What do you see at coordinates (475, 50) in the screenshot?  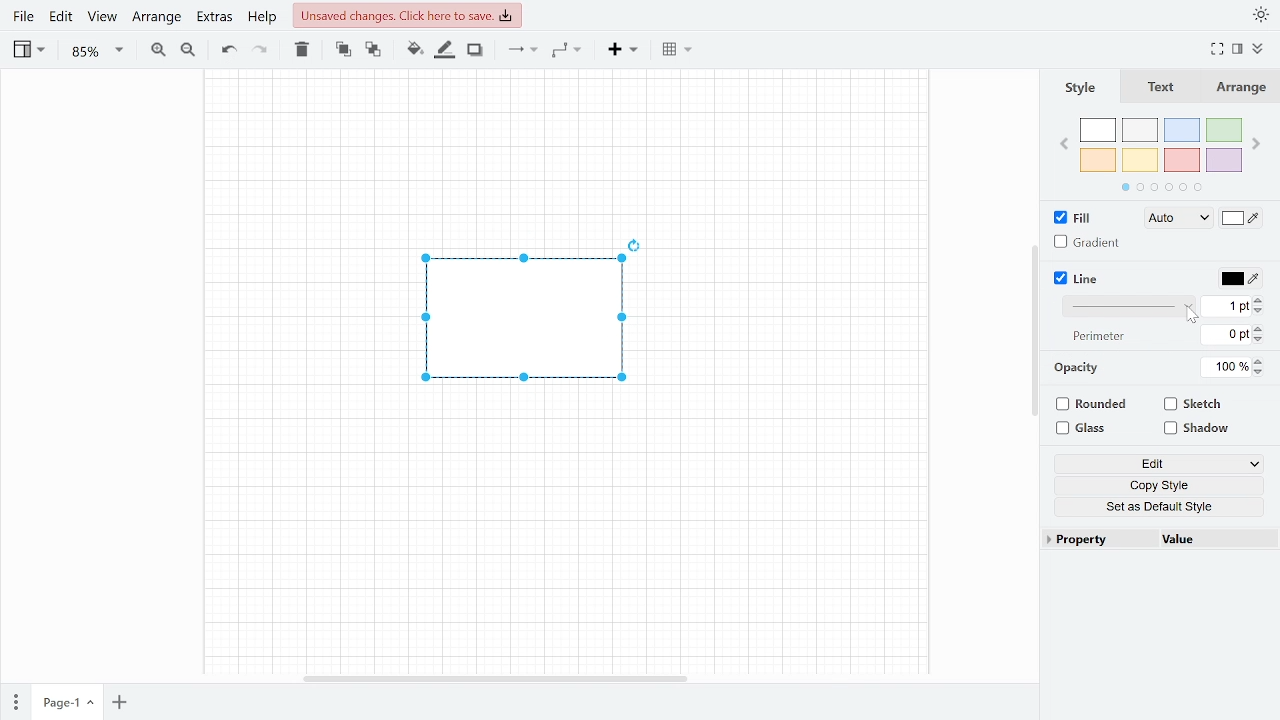 I see `Shadow` at bounding box center [475, 50].